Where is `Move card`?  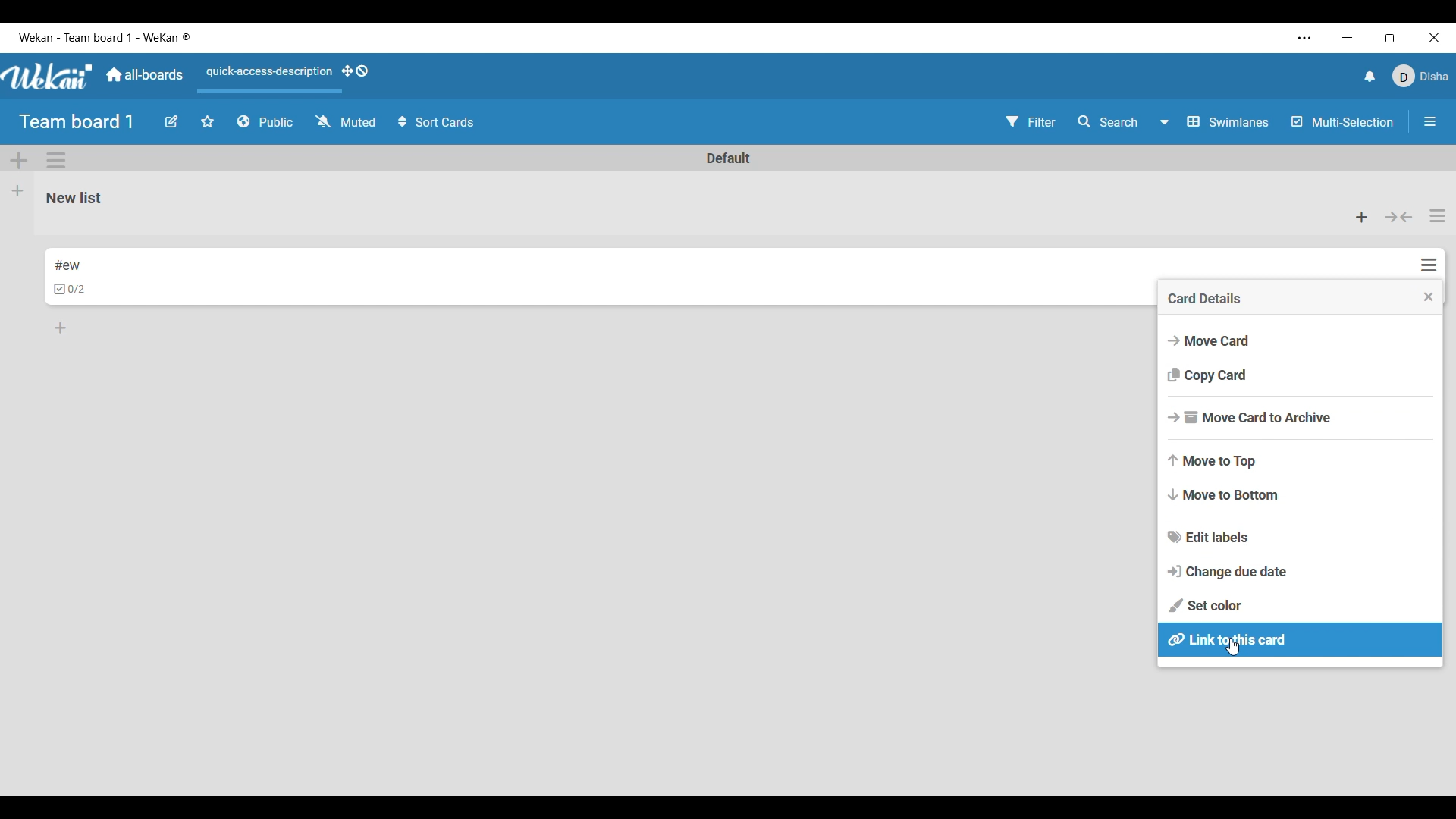 Move card is located at coordinates (1301, 340).